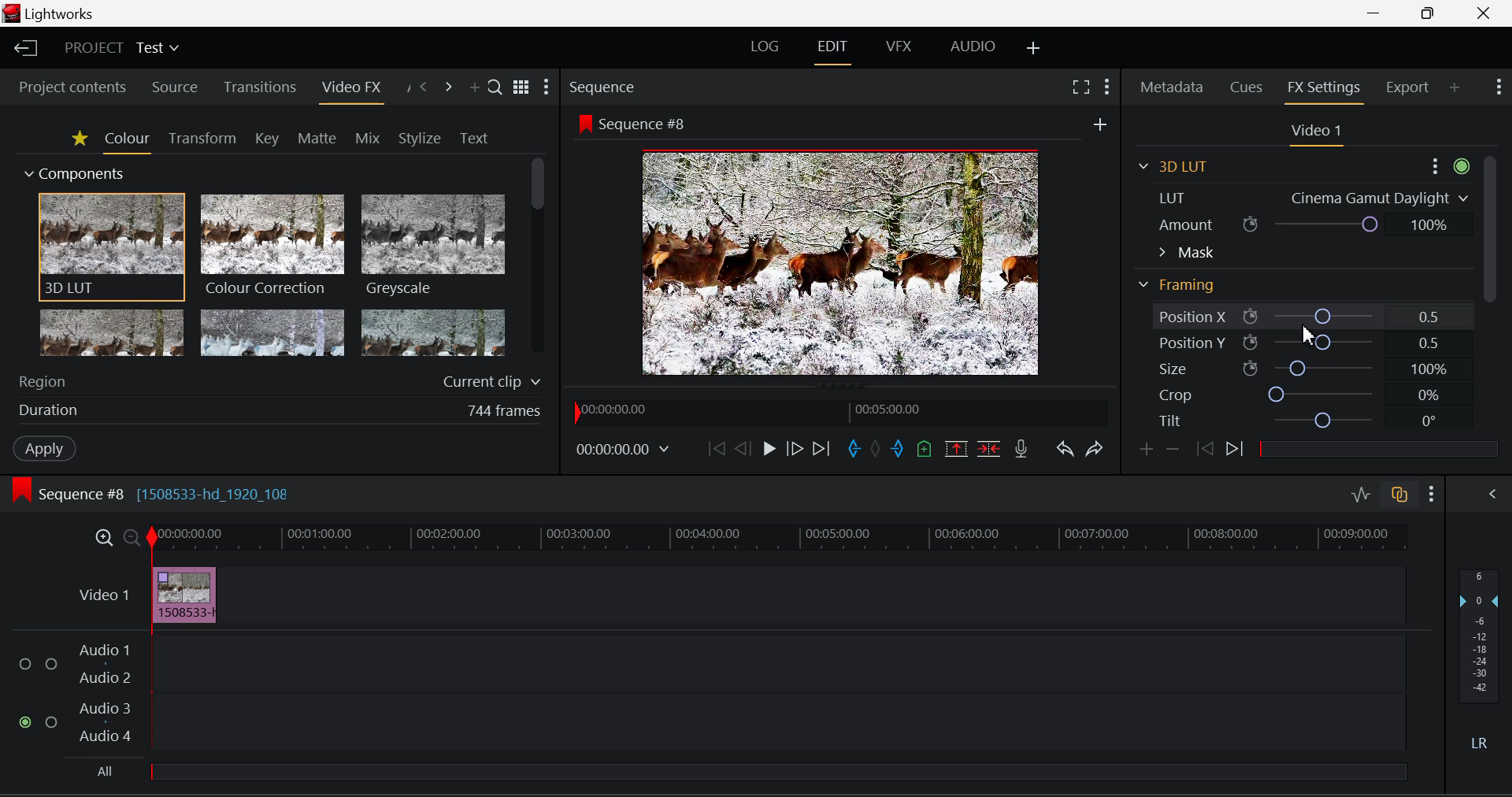 The width and height of the screenshot is (1512, 797). Describe the element at coordinates (779, 661) in the screenshot. I see `Audio Track` at that location.